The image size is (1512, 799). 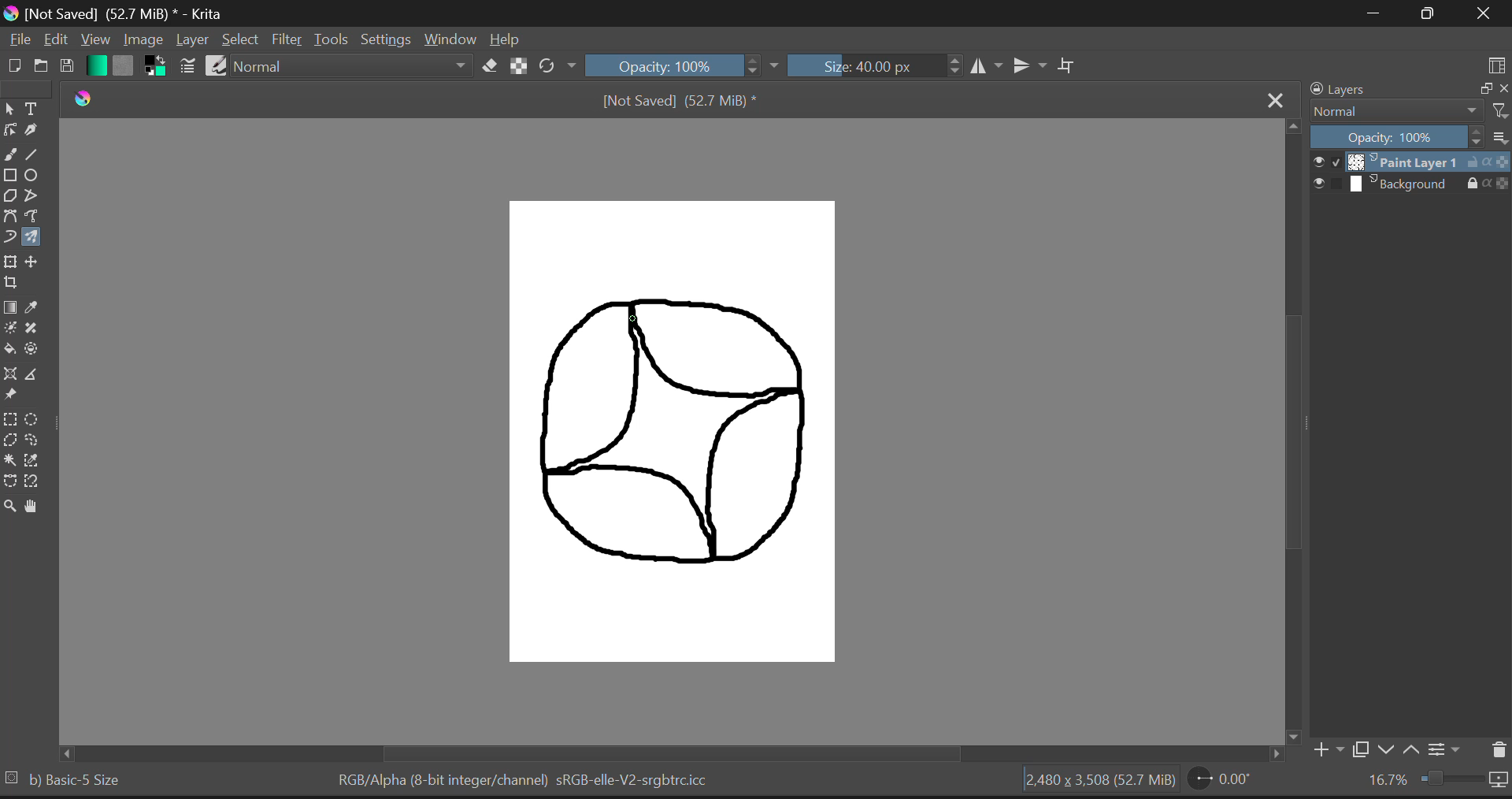 What do you see at coordinates (1276, 100) in the screenshot?
I see `Close` at bounding box center [1276, 100].